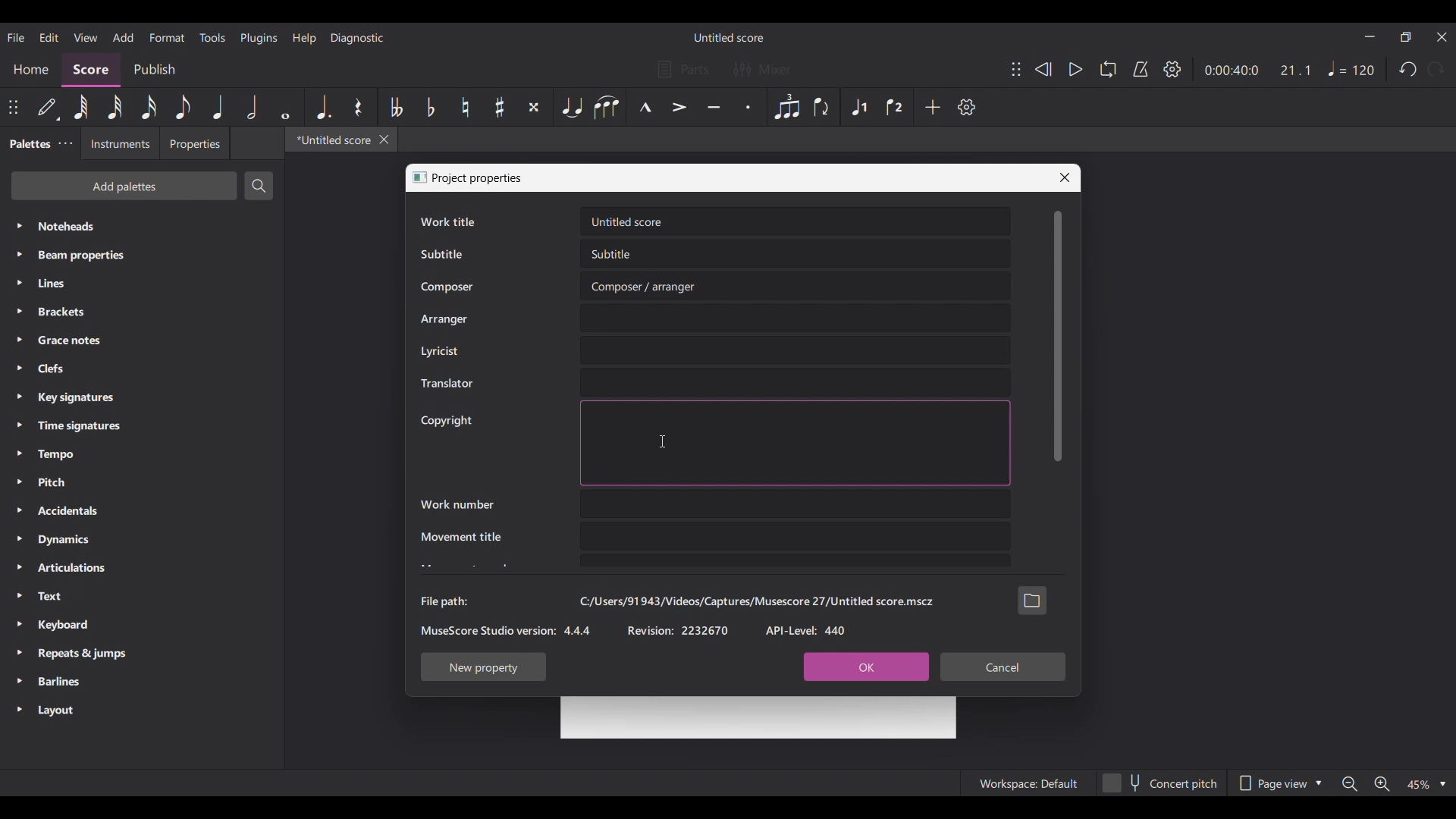 The height and width of the screenshot is (819, 1456). What do you see at coordinates (143, 340) in the screenshot?
I see `Grace notes` at bounding box center [143, 340].